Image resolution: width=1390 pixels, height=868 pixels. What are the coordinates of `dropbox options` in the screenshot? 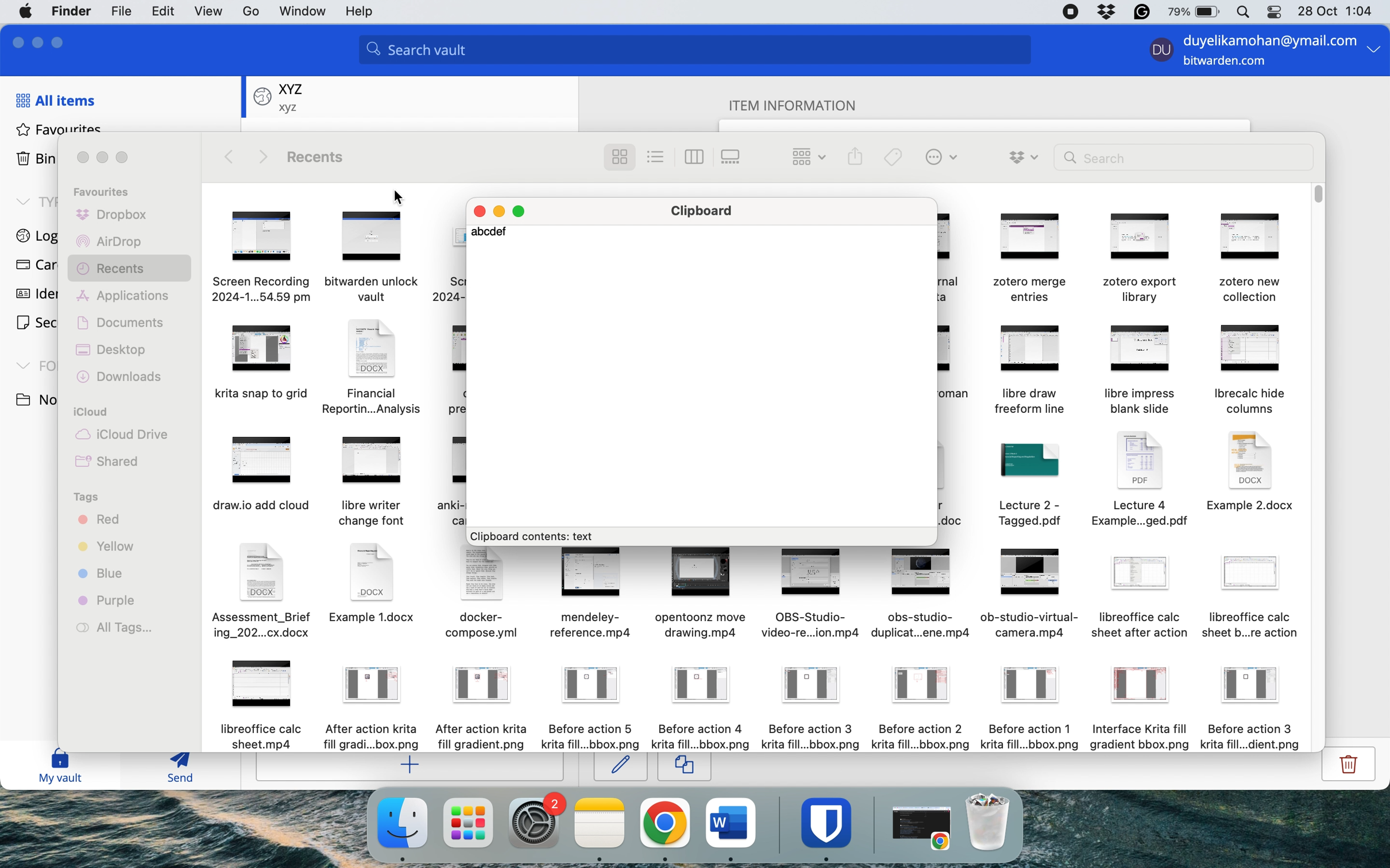 It's located at (1024, 156).